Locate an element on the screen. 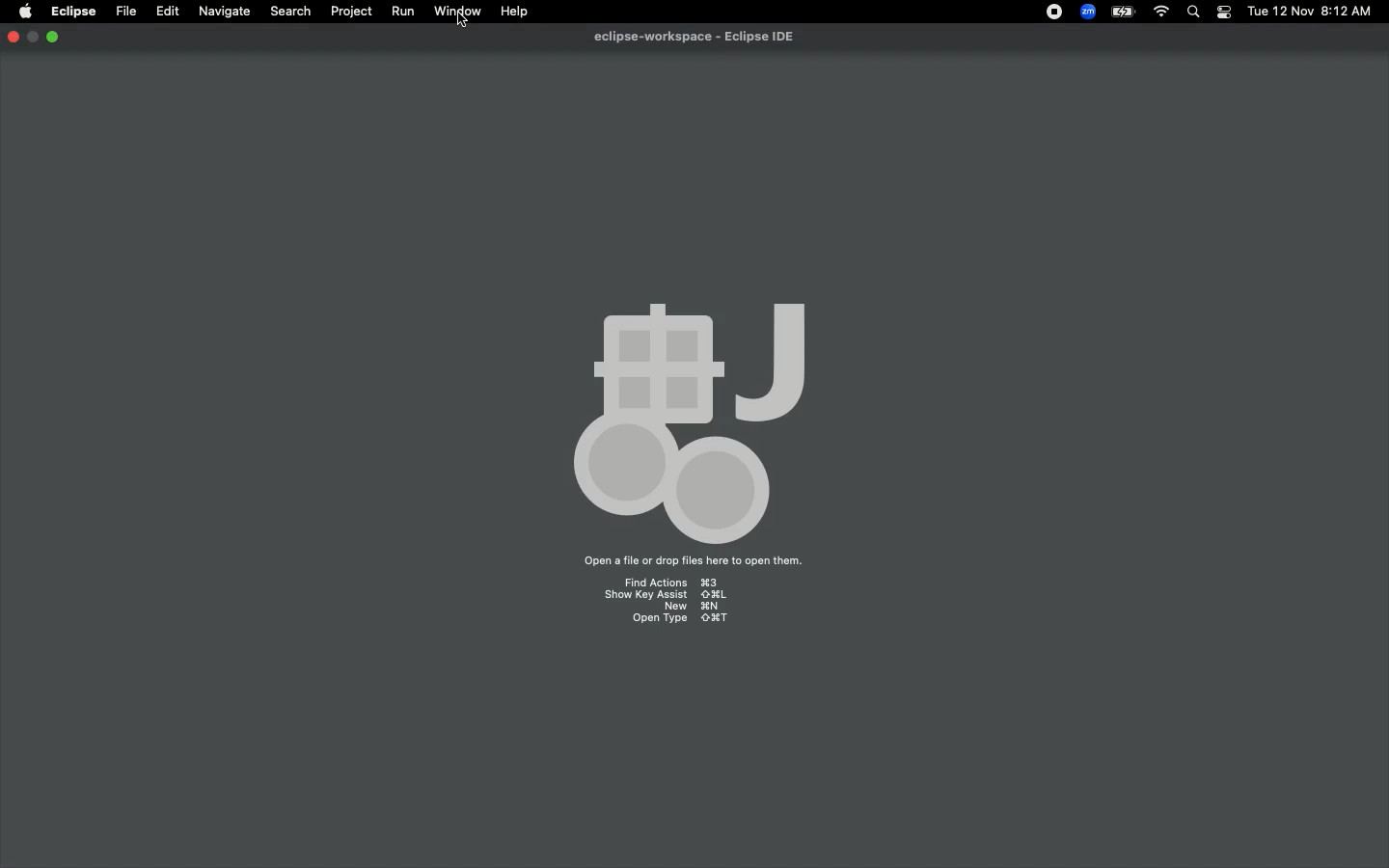 This screenshot has height=868, width=1389. Open a file or drop files here to open them is located at coordinates (692, 562).